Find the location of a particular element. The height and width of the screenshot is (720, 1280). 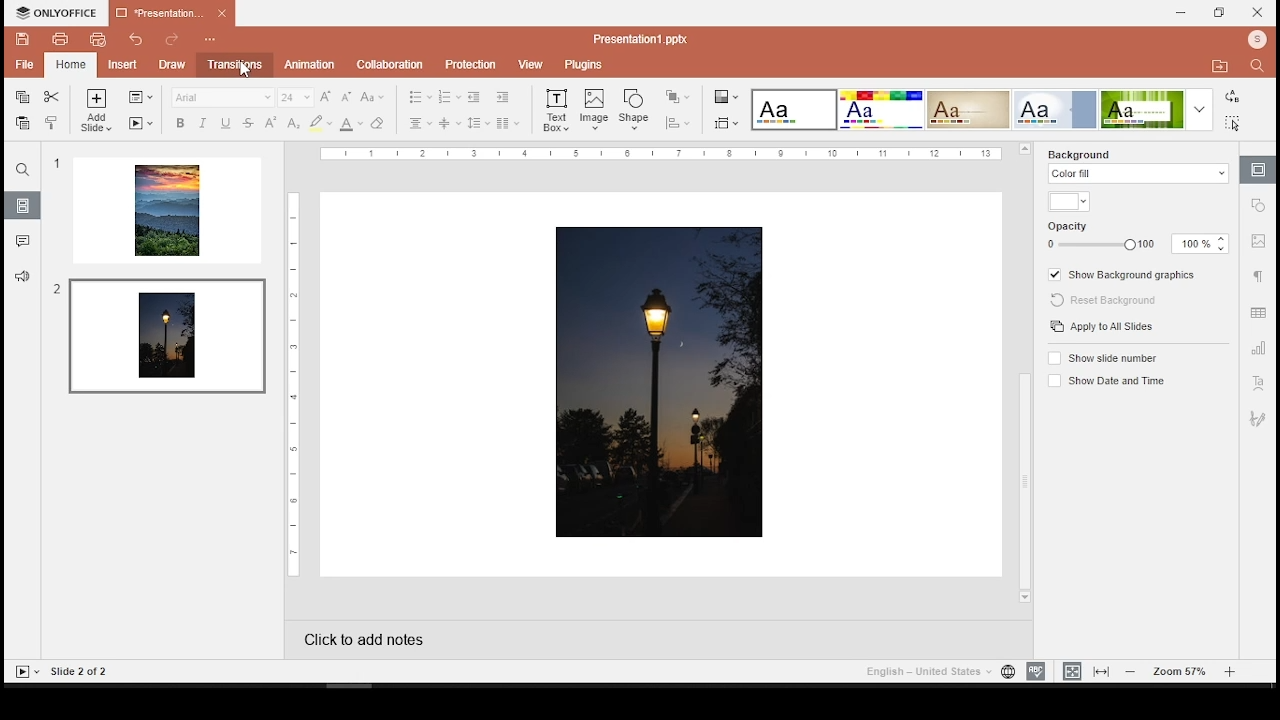

show slide number on/off is located at coordinates (1102, 357).